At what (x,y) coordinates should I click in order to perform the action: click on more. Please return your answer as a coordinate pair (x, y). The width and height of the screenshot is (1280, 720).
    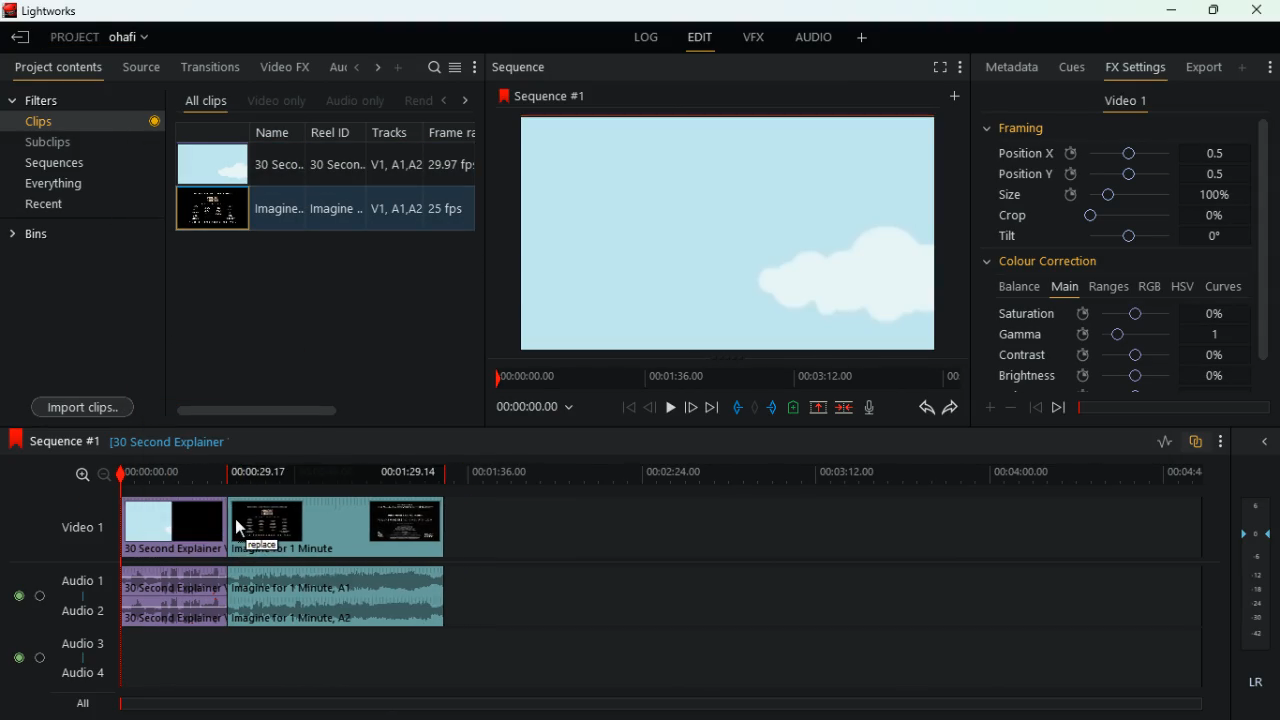
    Looking at the image, I should click on (952, 99).